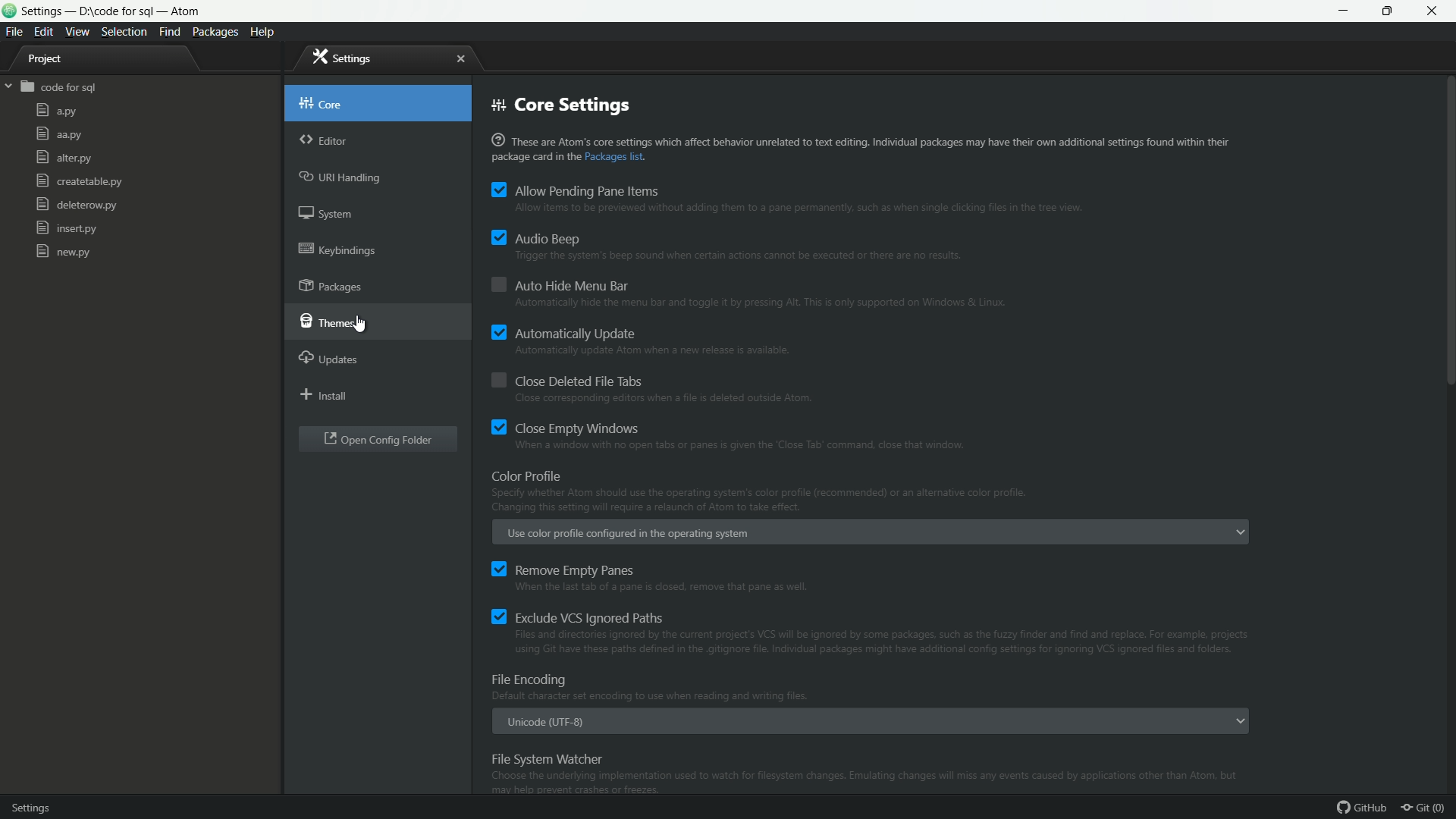  I want to click on edit menu, so click(44, 30).